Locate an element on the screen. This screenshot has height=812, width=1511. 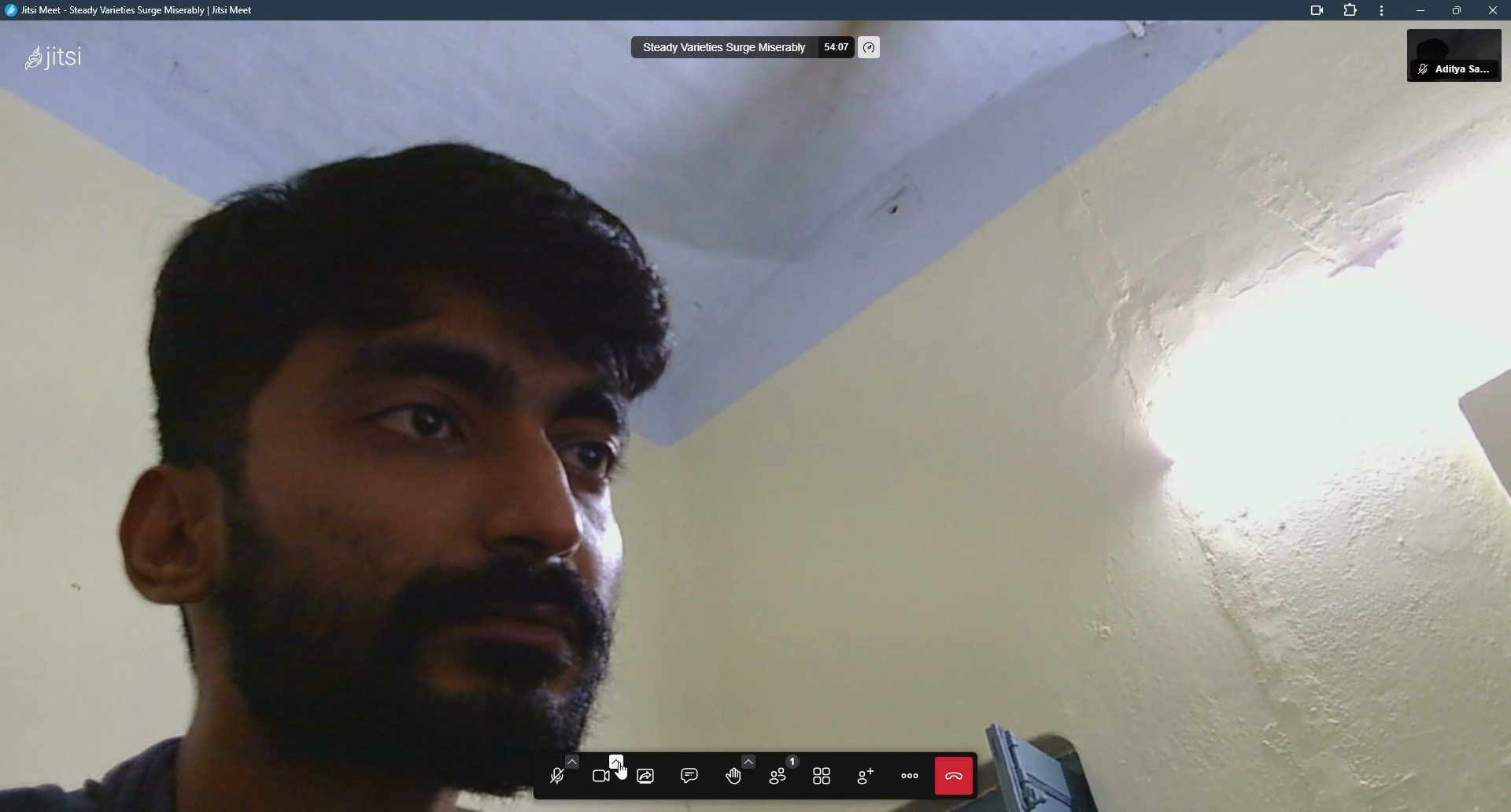
mute is located at coordinates (1419, 70).